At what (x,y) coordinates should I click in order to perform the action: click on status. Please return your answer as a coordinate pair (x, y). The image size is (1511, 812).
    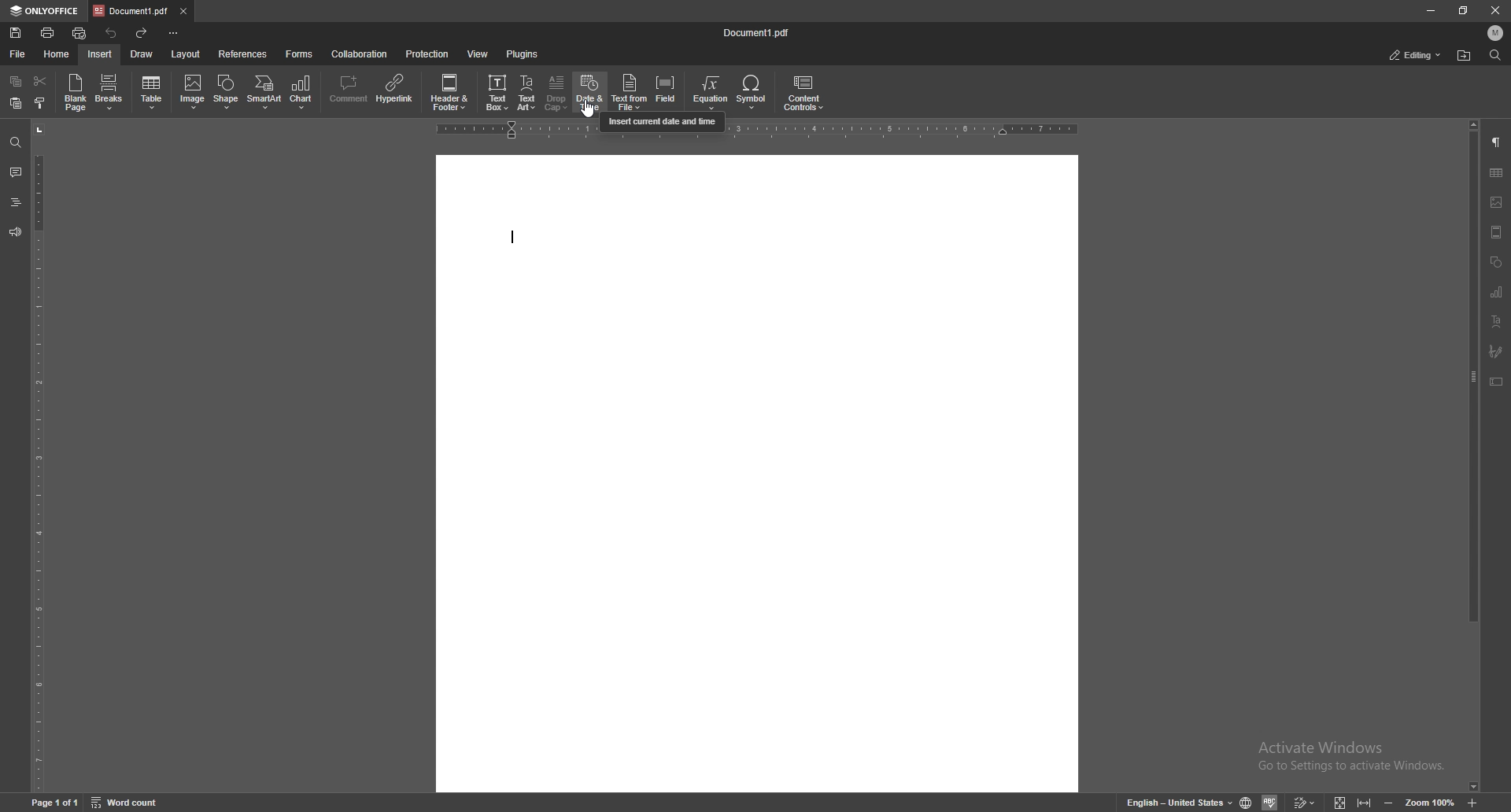
    Looking at the image, I should click on (1415, 56).